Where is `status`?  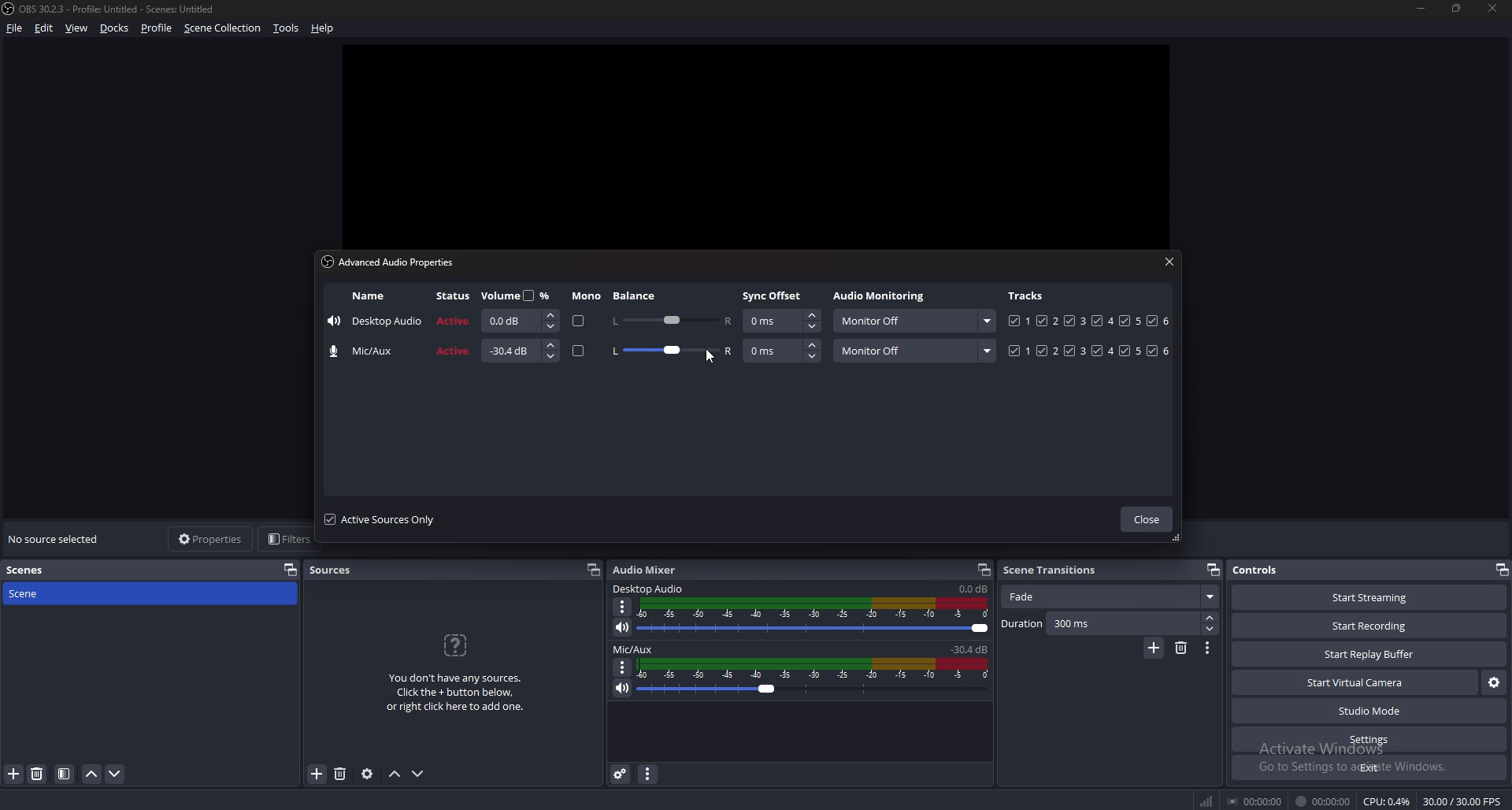 status is located at coordinates (456, 296).